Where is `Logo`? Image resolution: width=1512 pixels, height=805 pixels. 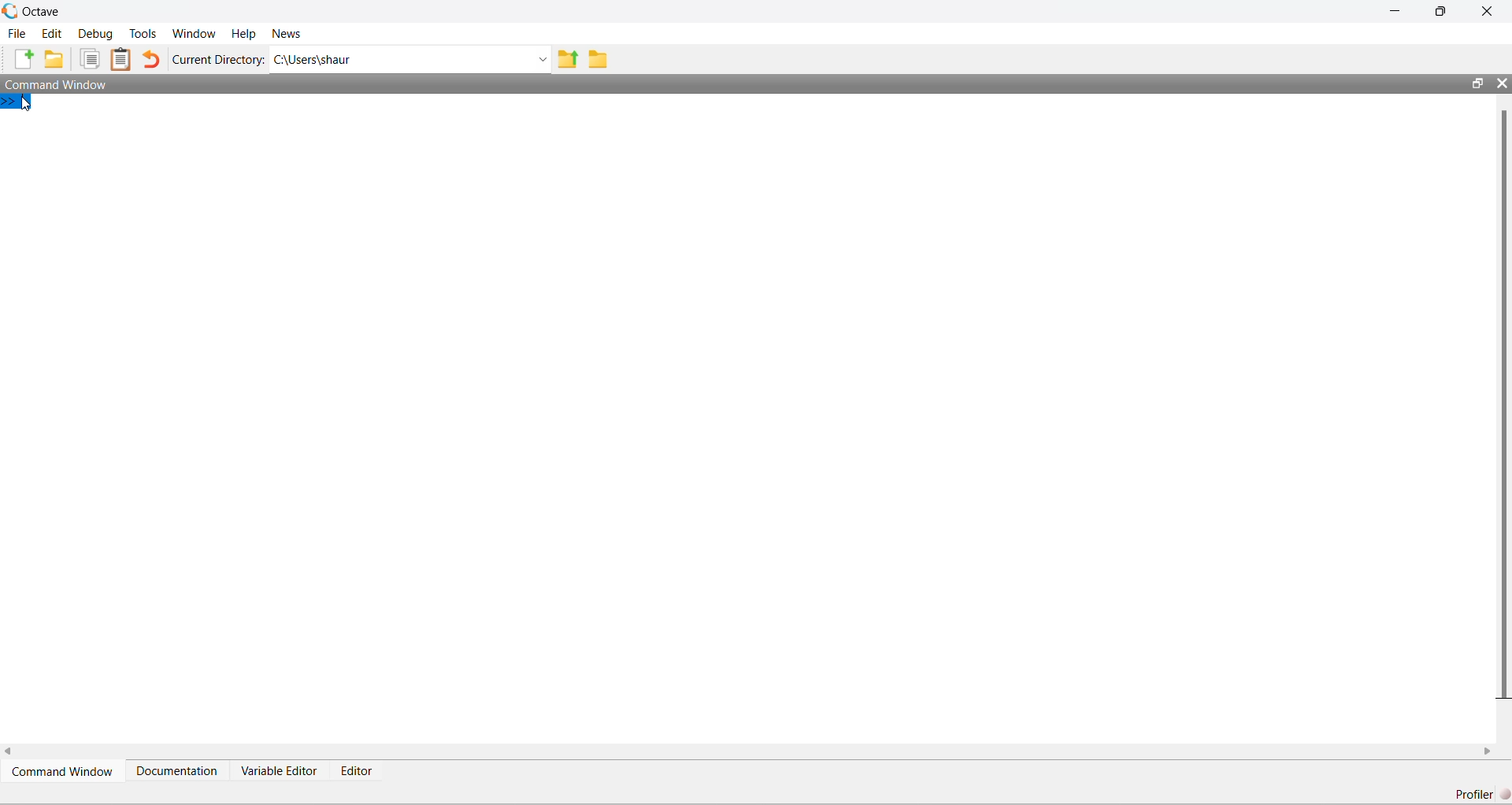 Logo is located at coordinates (10, 10).